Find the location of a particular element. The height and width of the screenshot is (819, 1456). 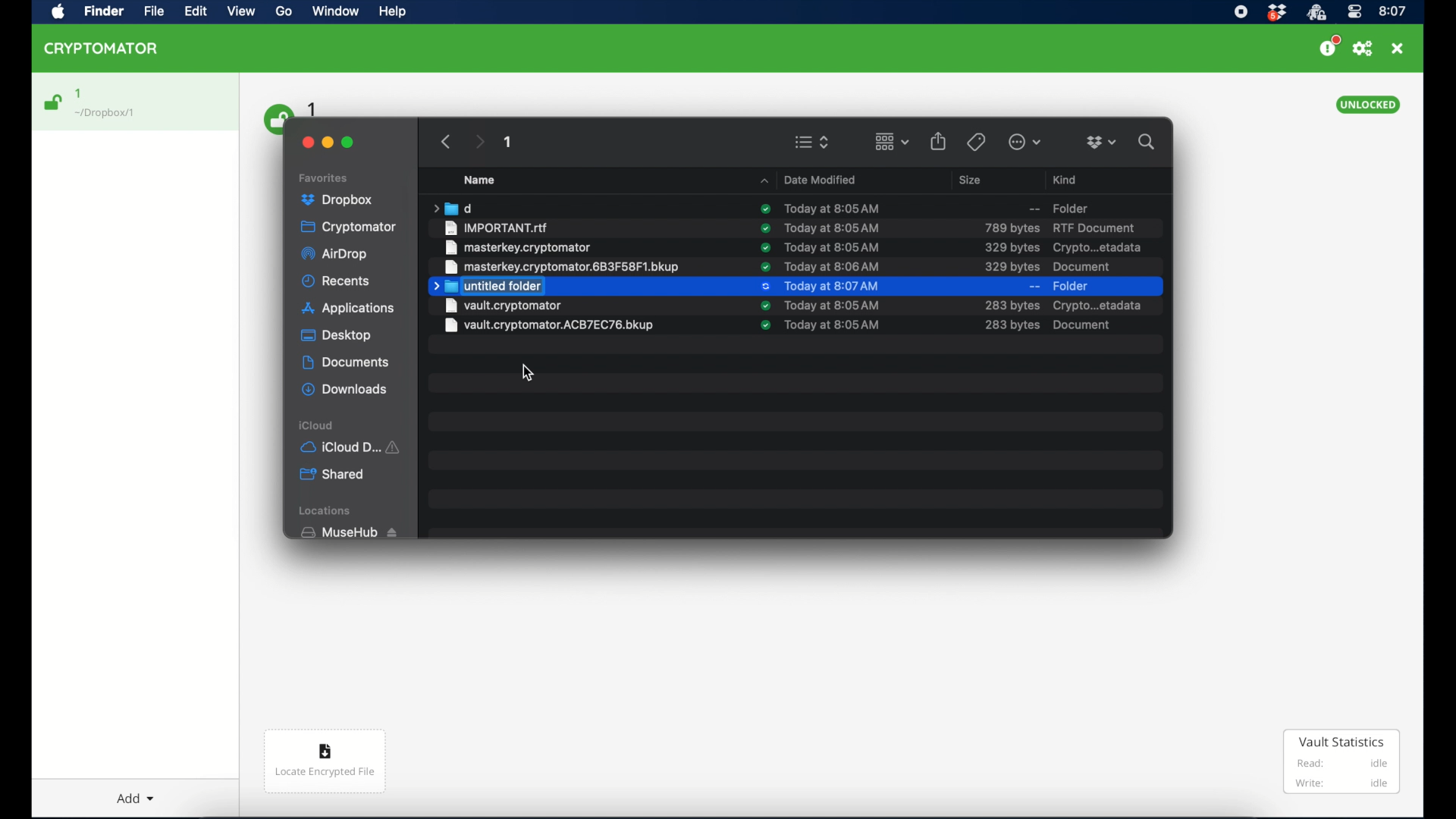

preferences is located at coordinates (1363, 49).